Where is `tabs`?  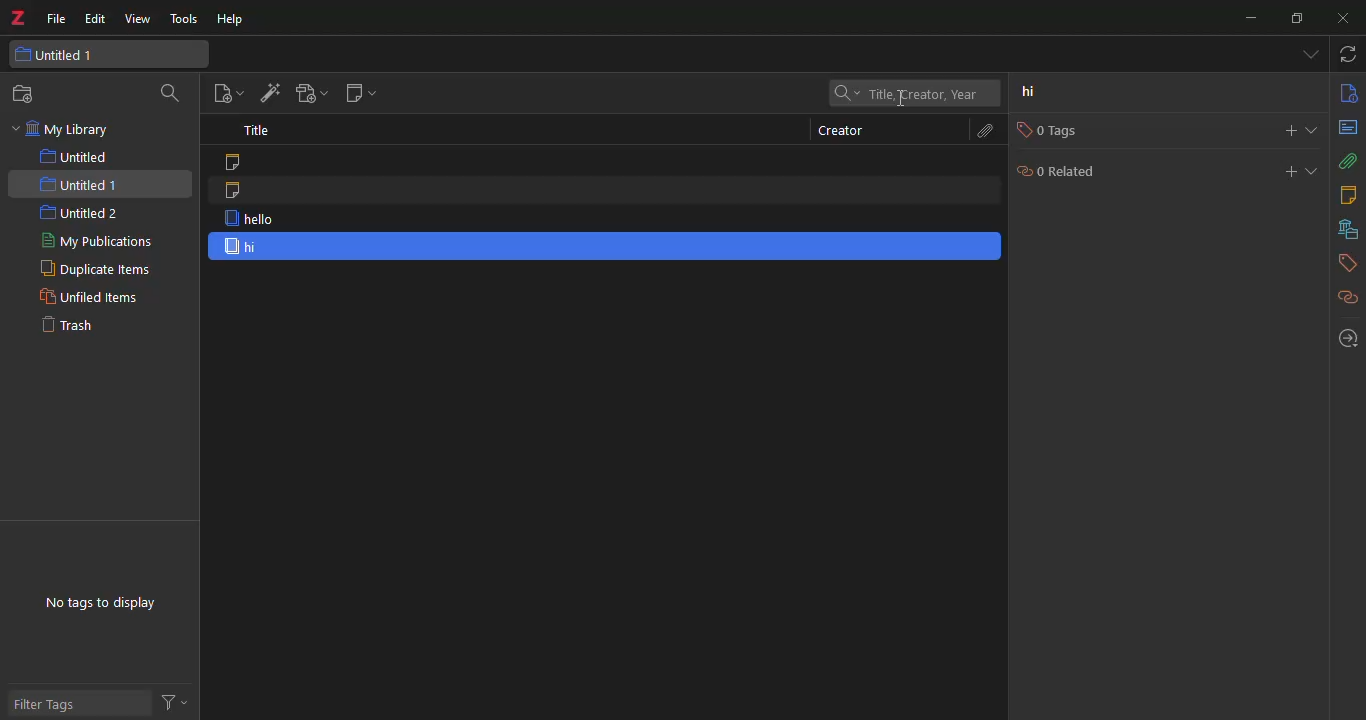
tabs is located at coordinates (1309, 55).